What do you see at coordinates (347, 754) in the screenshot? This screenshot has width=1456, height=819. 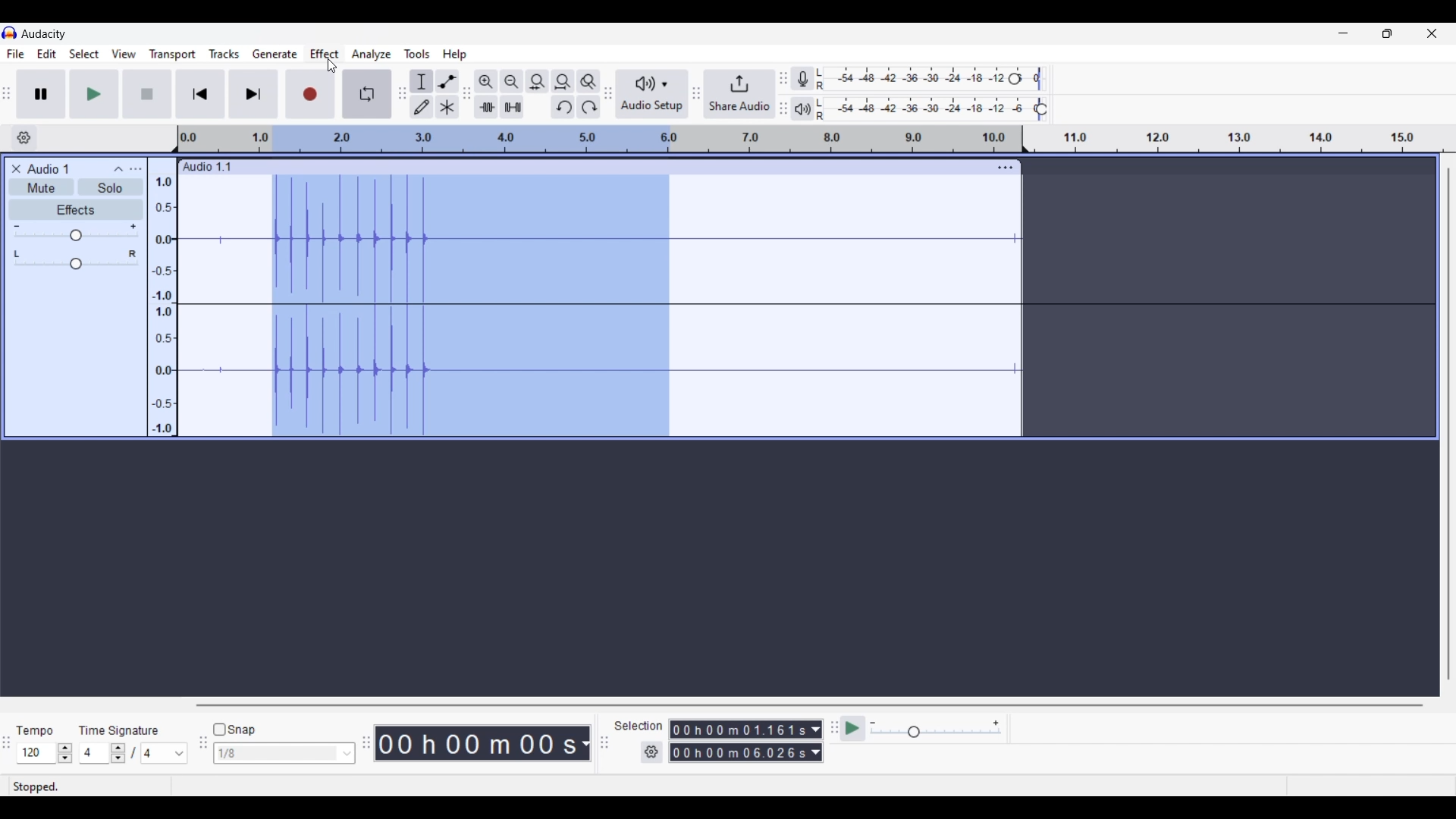 I see `Snap options` at bounding box center [347, 754].